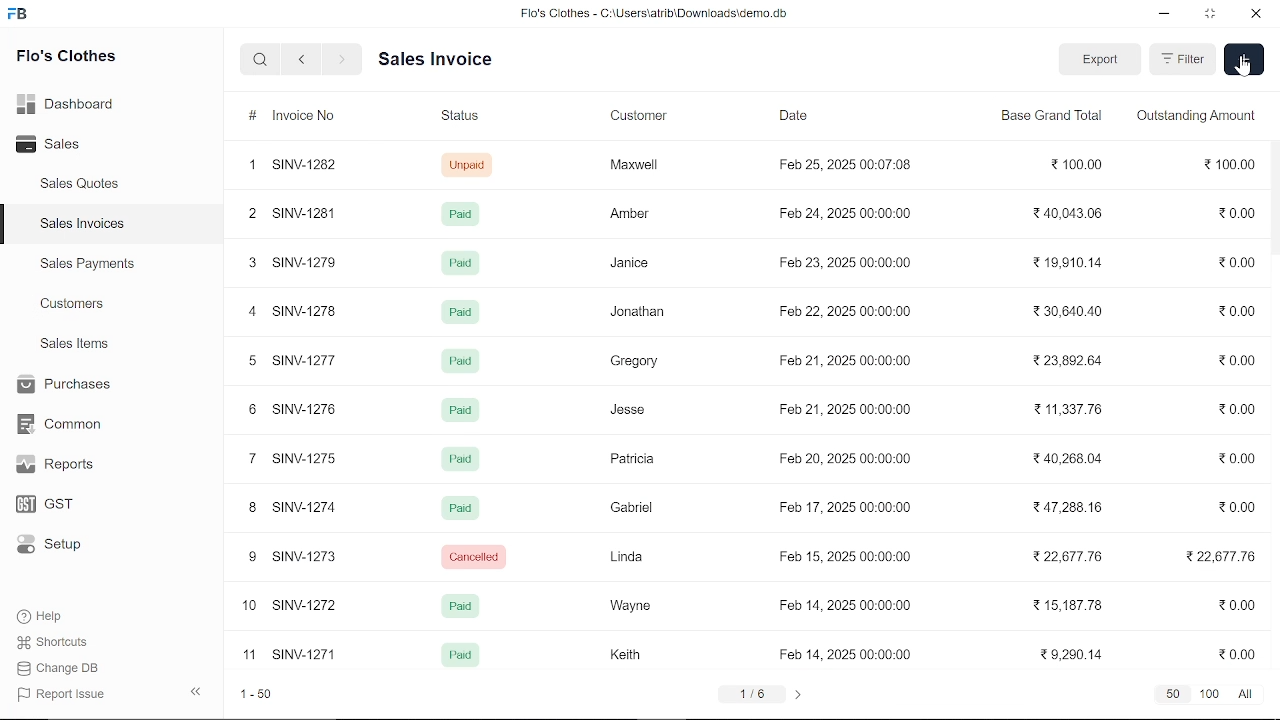 This screenshot has height=720, width=1280. I want to click on | Report Issue:, so click(64, 694).